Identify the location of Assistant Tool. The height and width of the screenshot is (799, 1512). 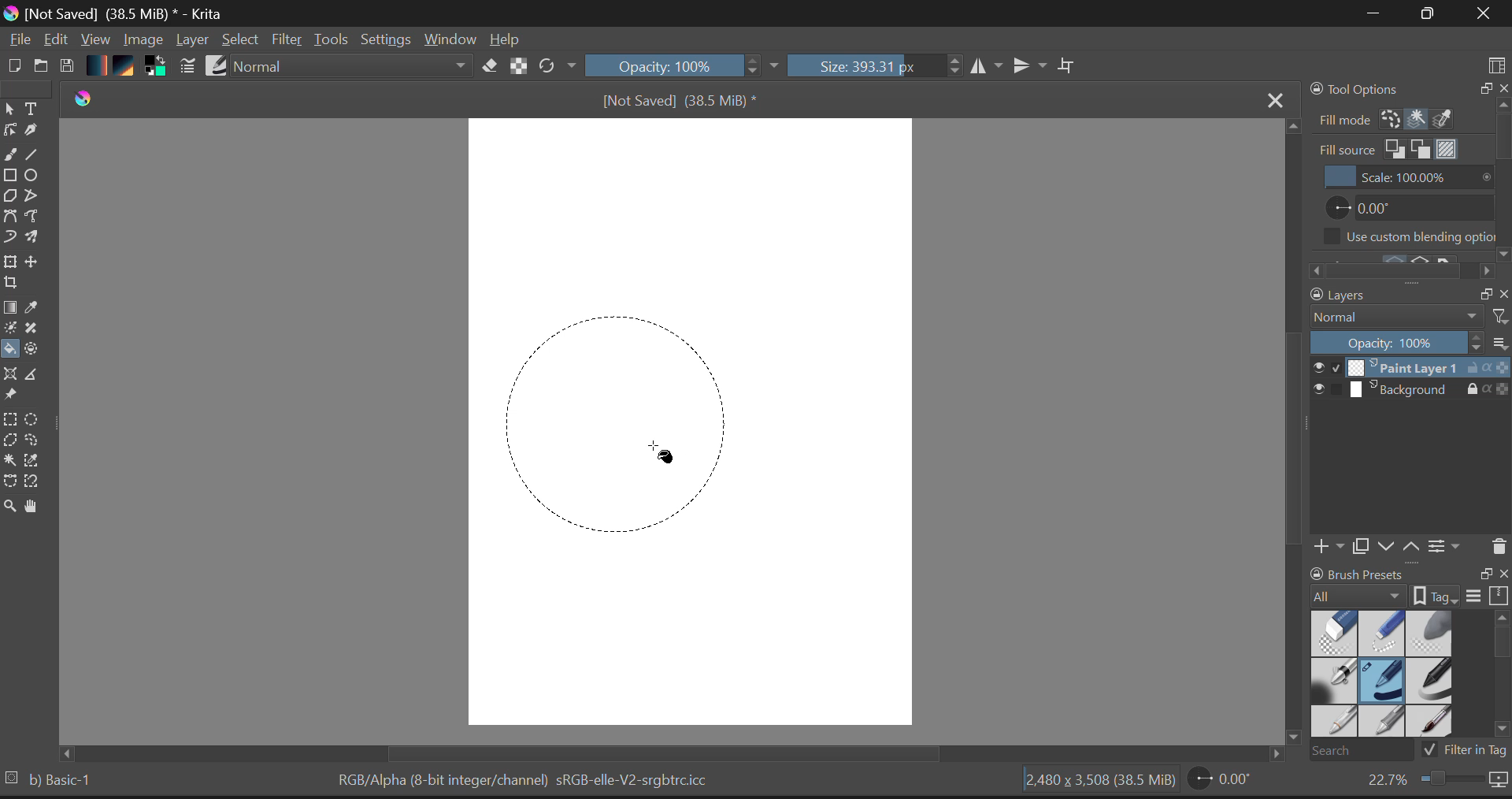
(13, 372).